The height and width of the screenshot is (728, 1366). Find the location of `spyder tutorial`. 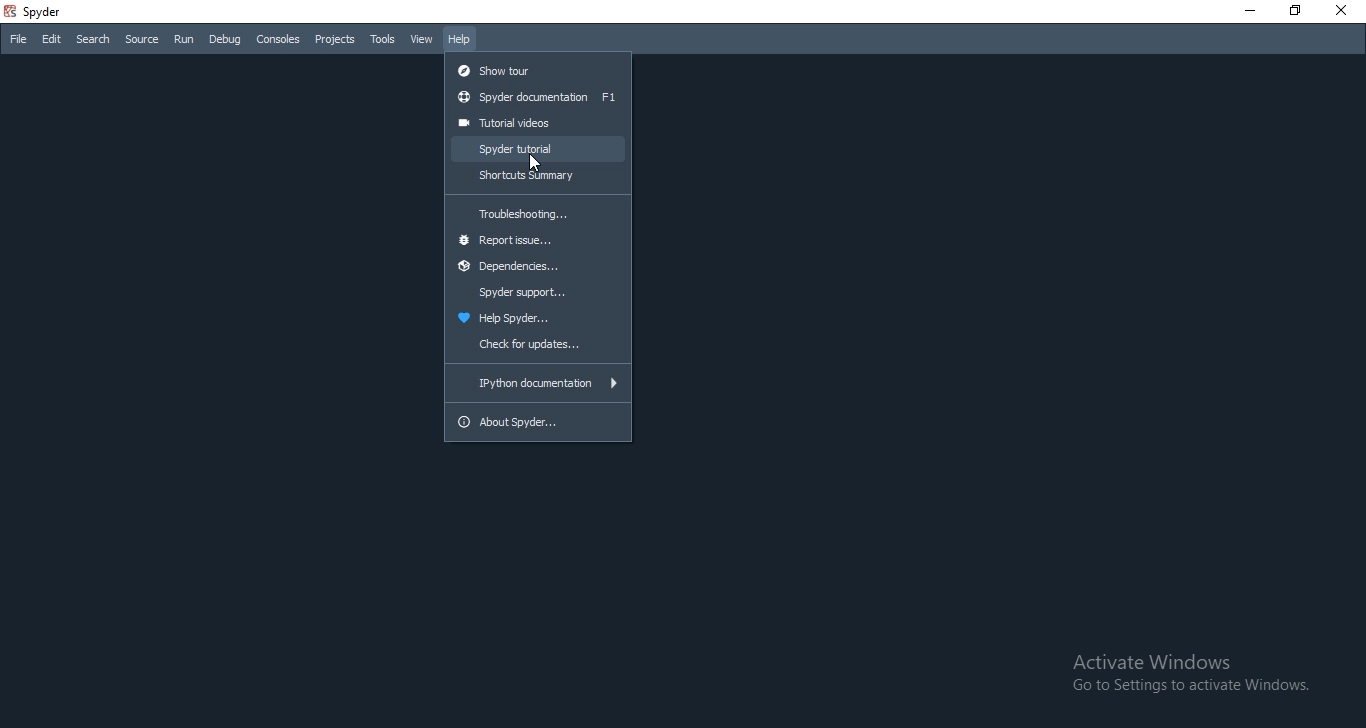

spyder tutorial is located at coordinates (538, 149).